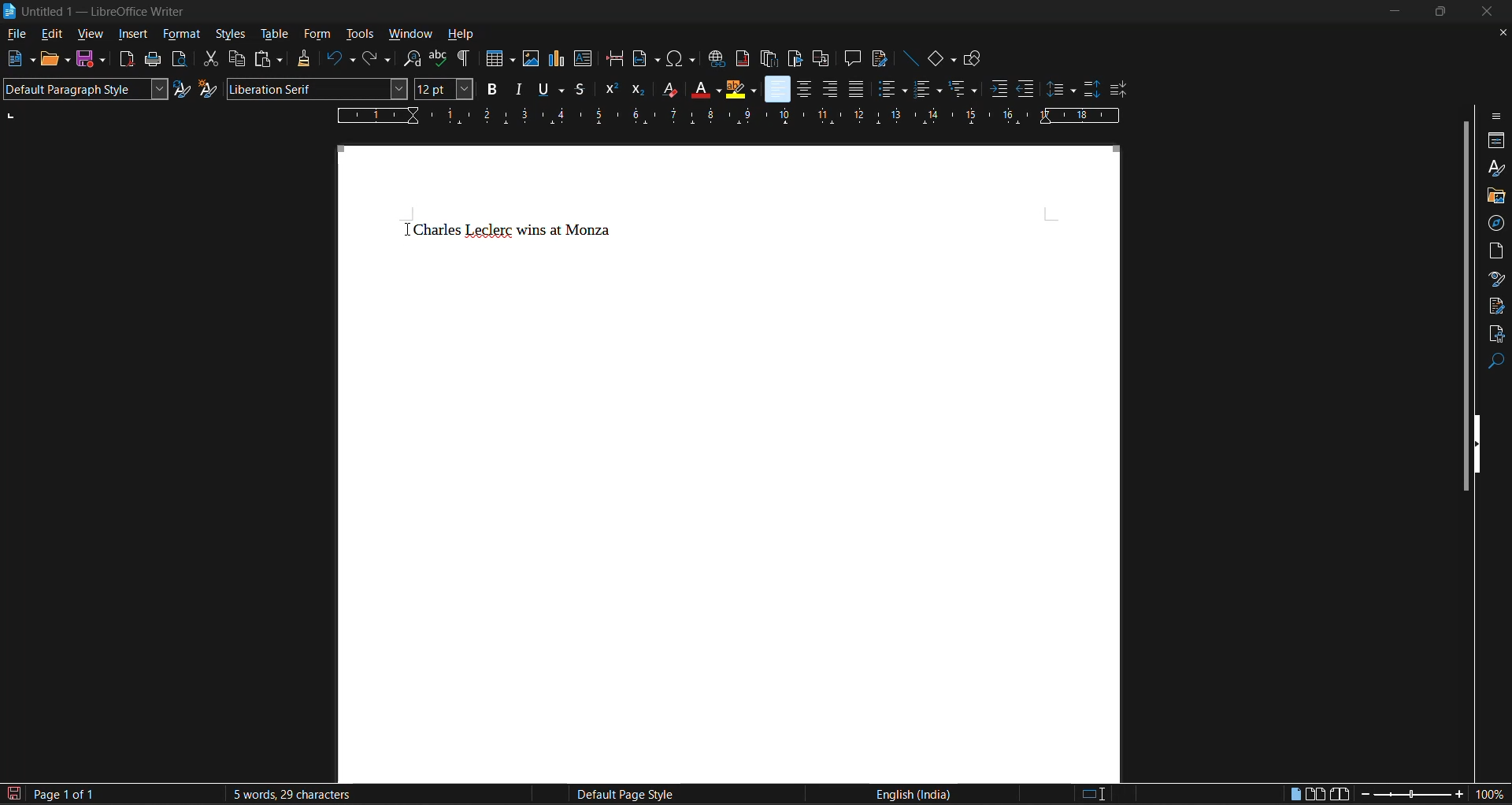 Image resolution: width=1512 pixels, height=805 pixels. Describe the element at coordinates (151, 58) in the screenshot. I see `print` at that location.